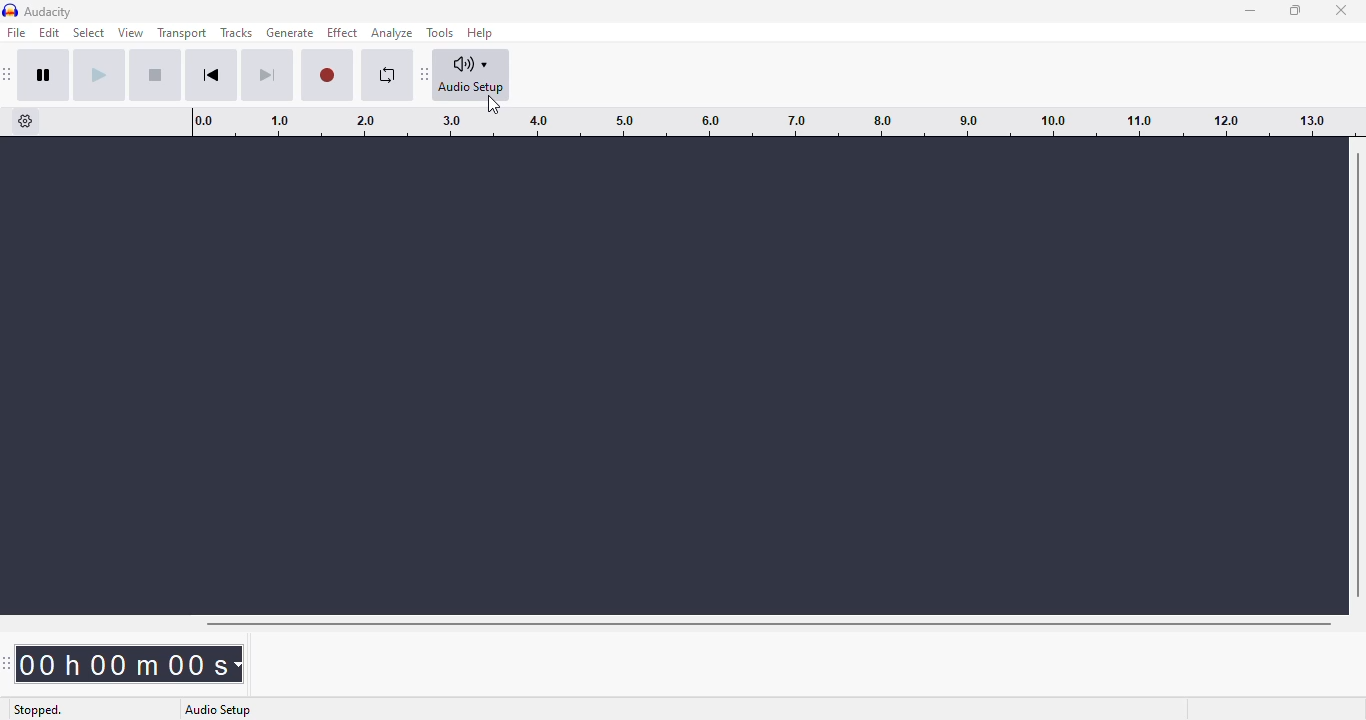 This screenshot has height=720, width=1366. I want to click on edit, so click(49, 32).